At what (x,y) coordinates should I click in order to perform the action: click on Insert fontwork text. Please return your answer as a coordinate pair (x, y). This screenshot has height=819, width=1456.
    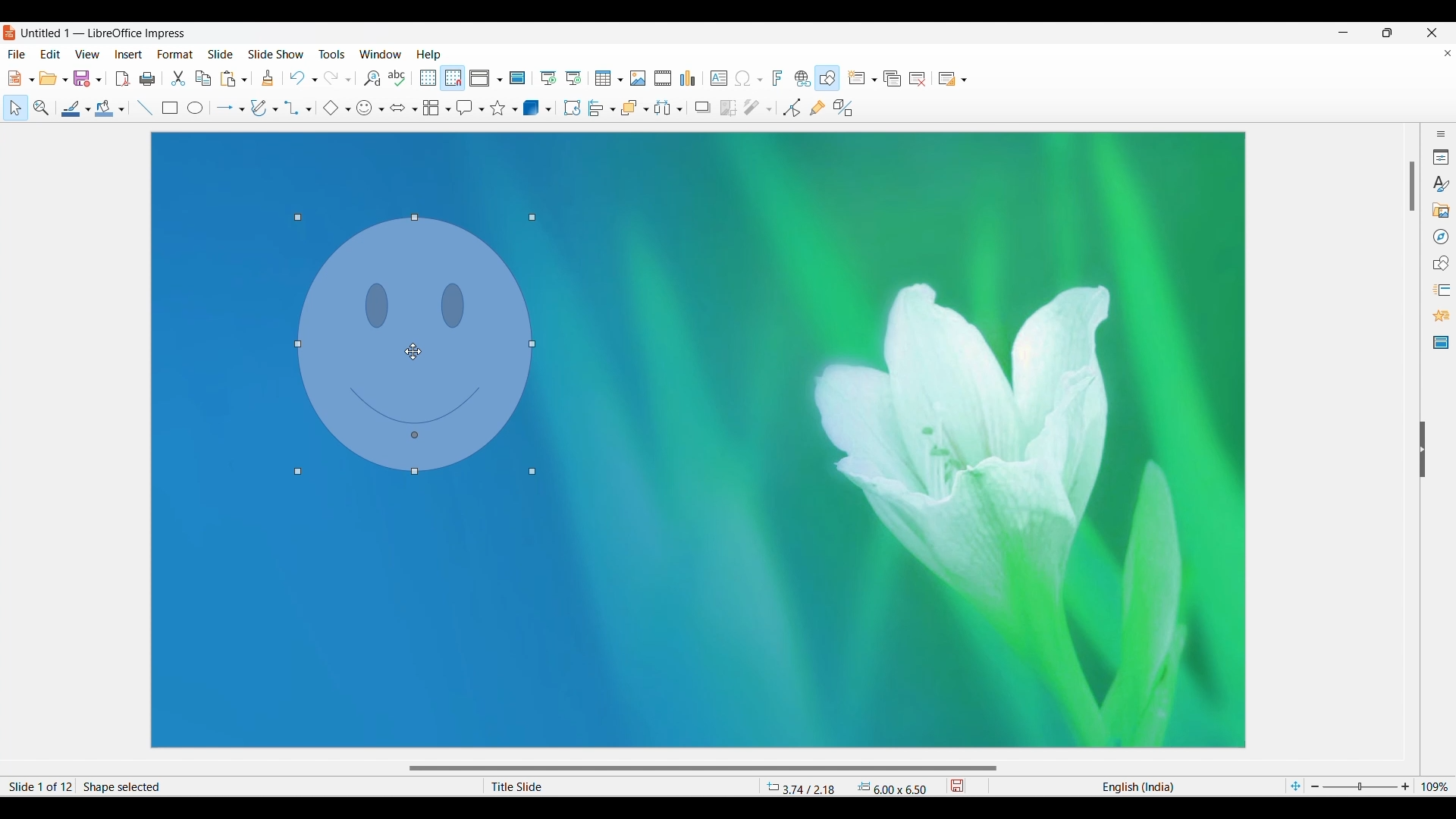
    Looking at the image, I should click on (778, 77).